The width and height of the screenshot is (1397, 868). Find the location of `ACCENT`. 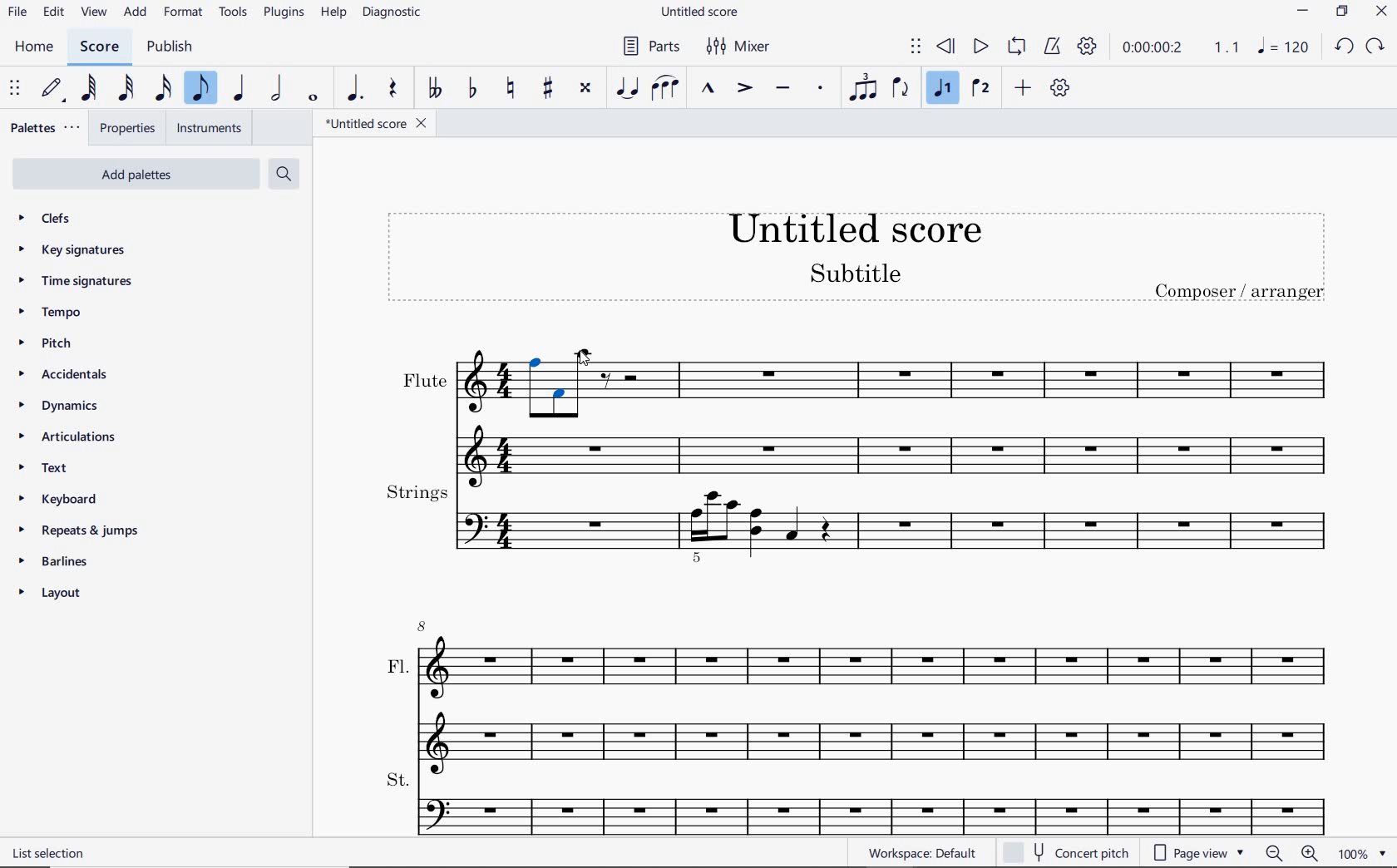

ACCENT is located at coordinates (744, 89).